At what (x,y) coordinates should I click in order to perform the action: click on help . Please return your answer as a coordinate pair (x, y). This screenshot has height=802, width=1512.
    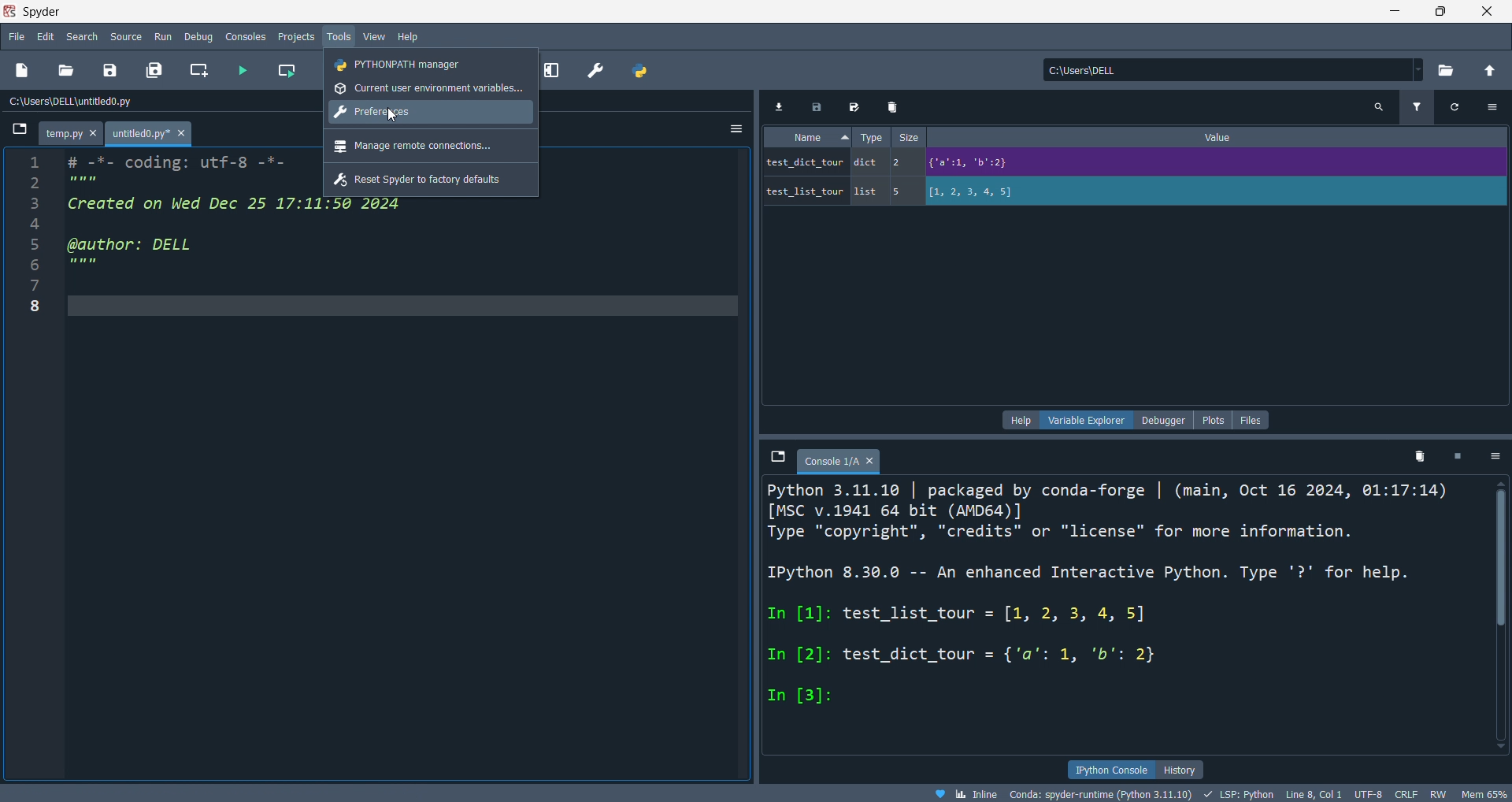
    Looking at the image, I should click on (1018, 421).